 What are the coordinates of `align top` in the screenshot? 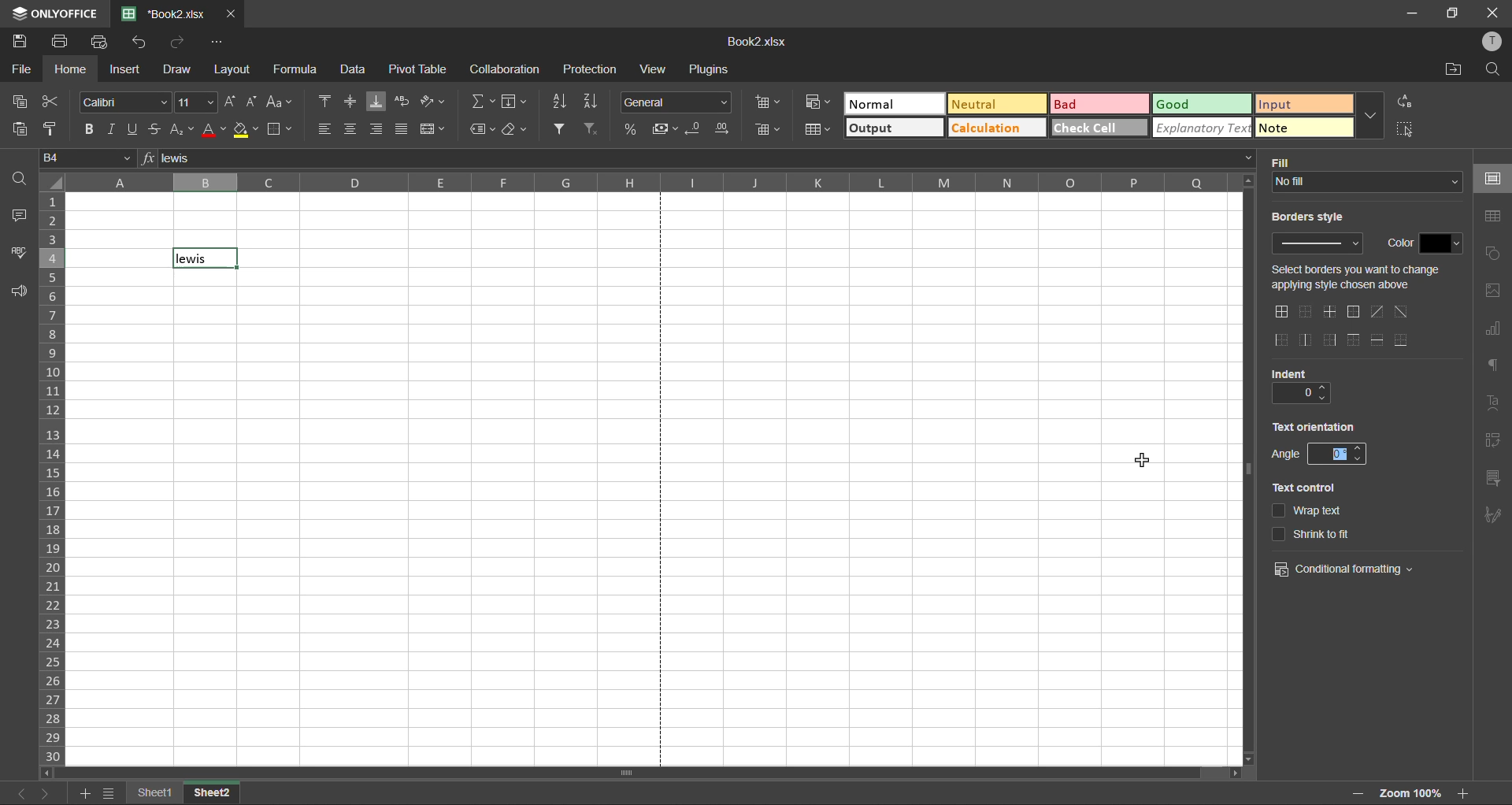 It's located at (328, 103).